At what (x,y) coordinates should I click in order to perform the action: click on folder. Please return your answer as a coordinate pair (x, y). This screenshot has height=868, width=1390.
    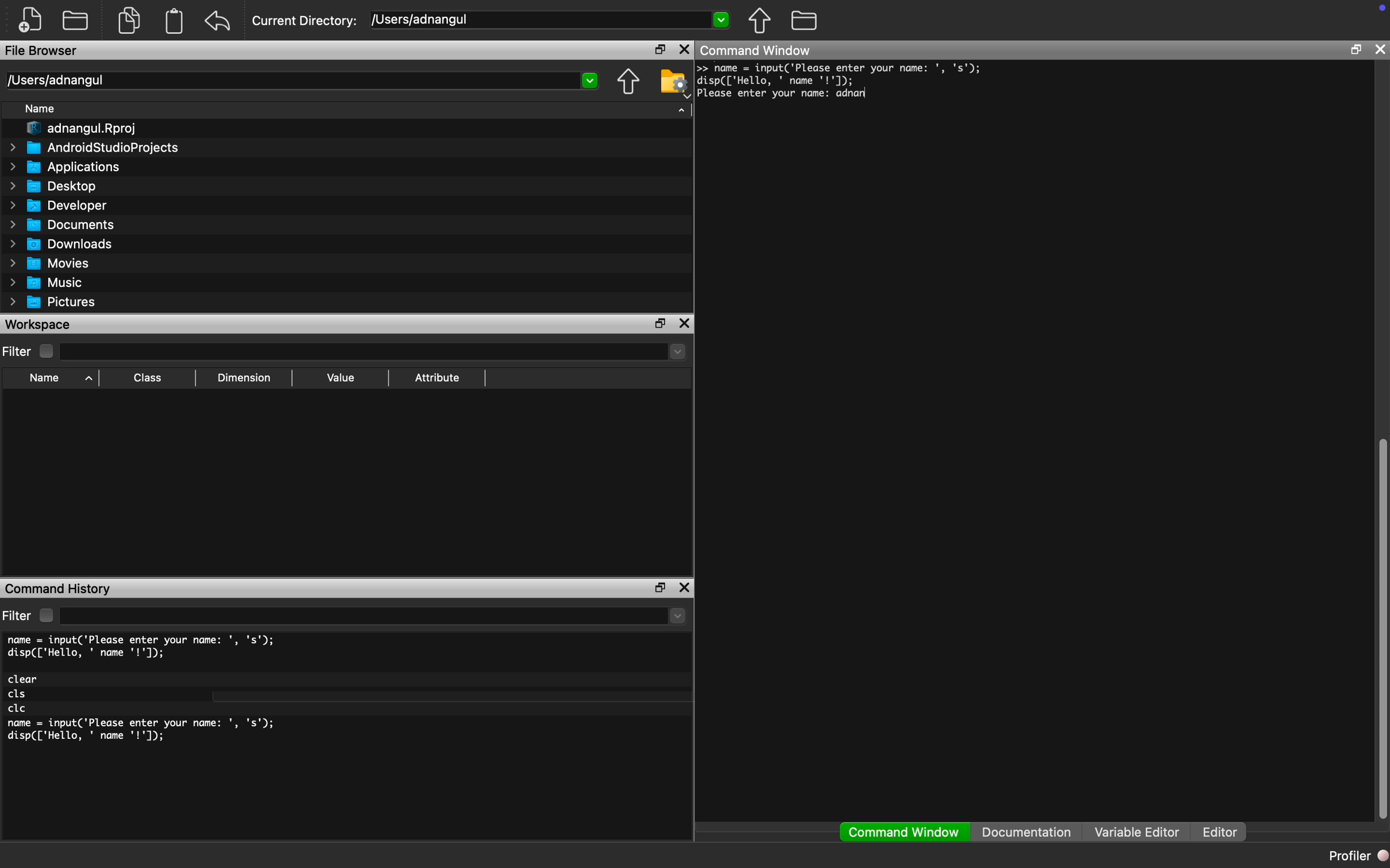
    Looking at the image, I should click on (805, 20).